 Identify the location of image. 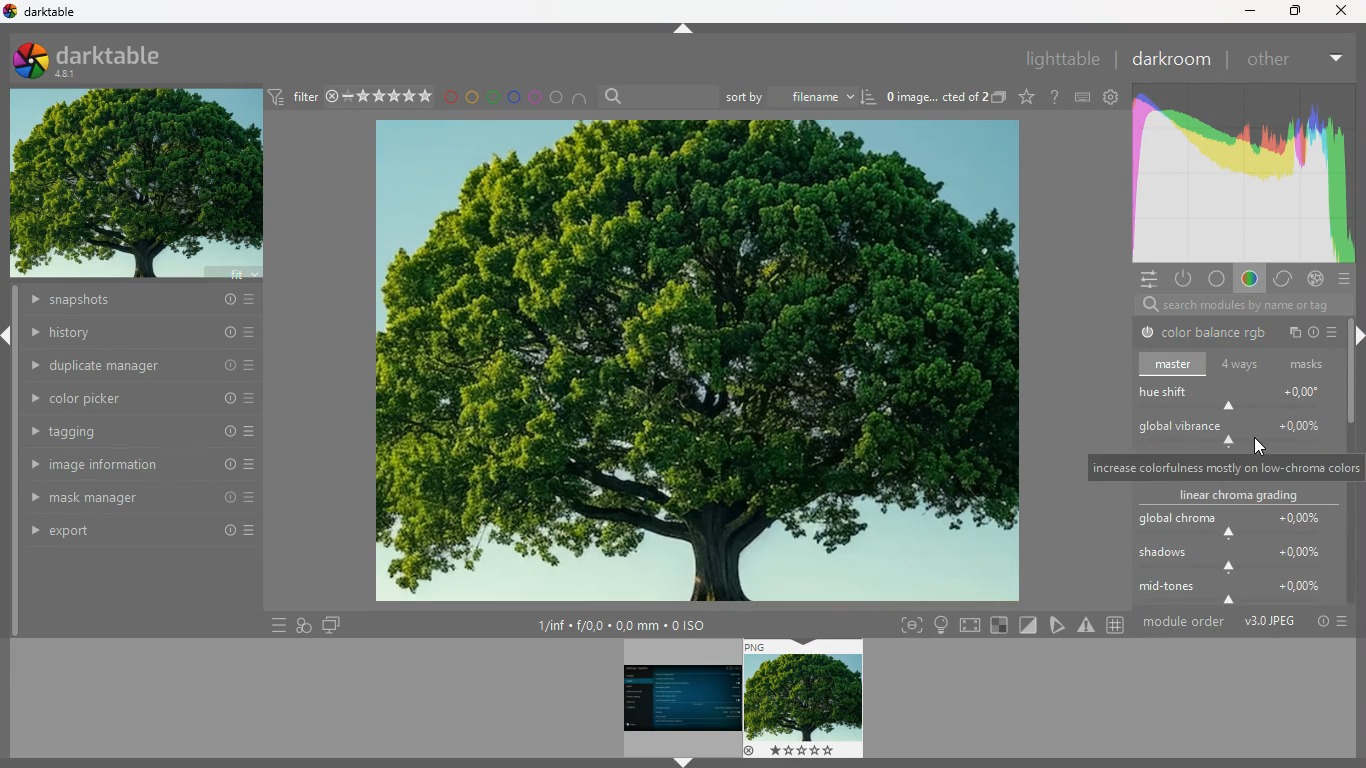
(137, 186).